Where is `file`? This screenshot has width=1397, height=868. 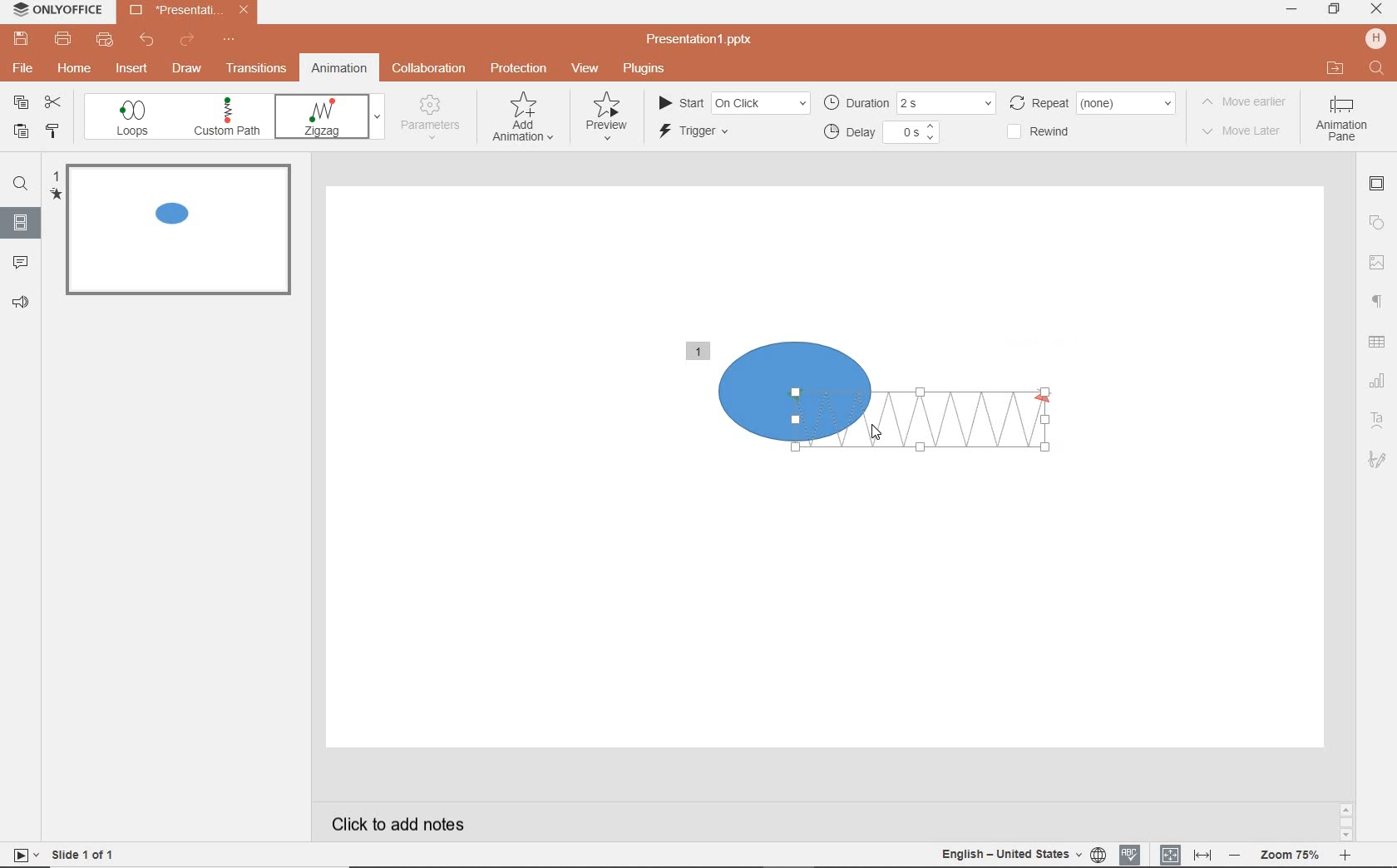
file is located at coordinates (21, 71).